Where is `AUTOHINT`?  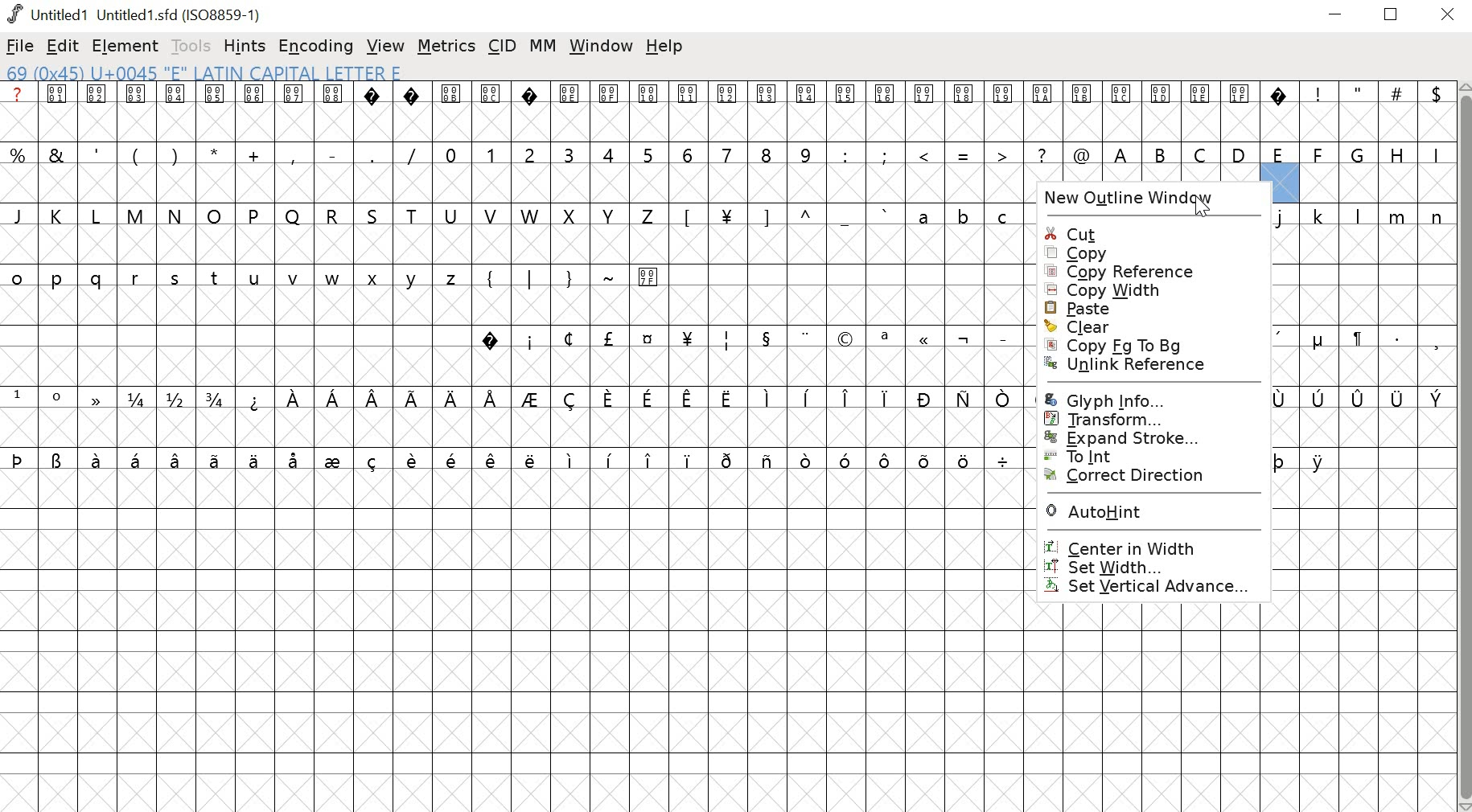
AUTOHINT is located at coordinates (1137, 509).